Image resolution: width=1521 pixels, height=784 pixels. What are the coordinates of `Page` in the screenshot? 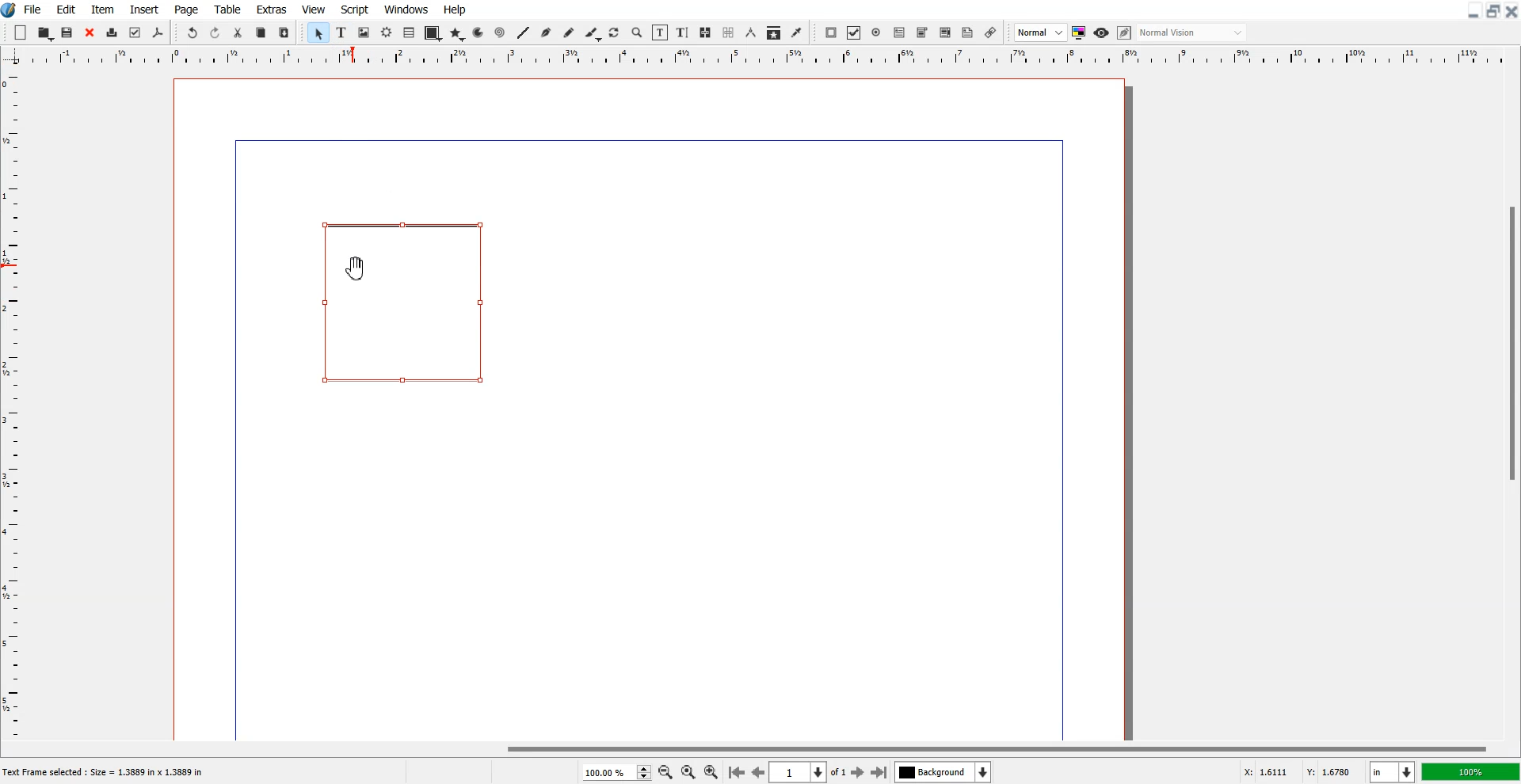 It's located at (185, 10).